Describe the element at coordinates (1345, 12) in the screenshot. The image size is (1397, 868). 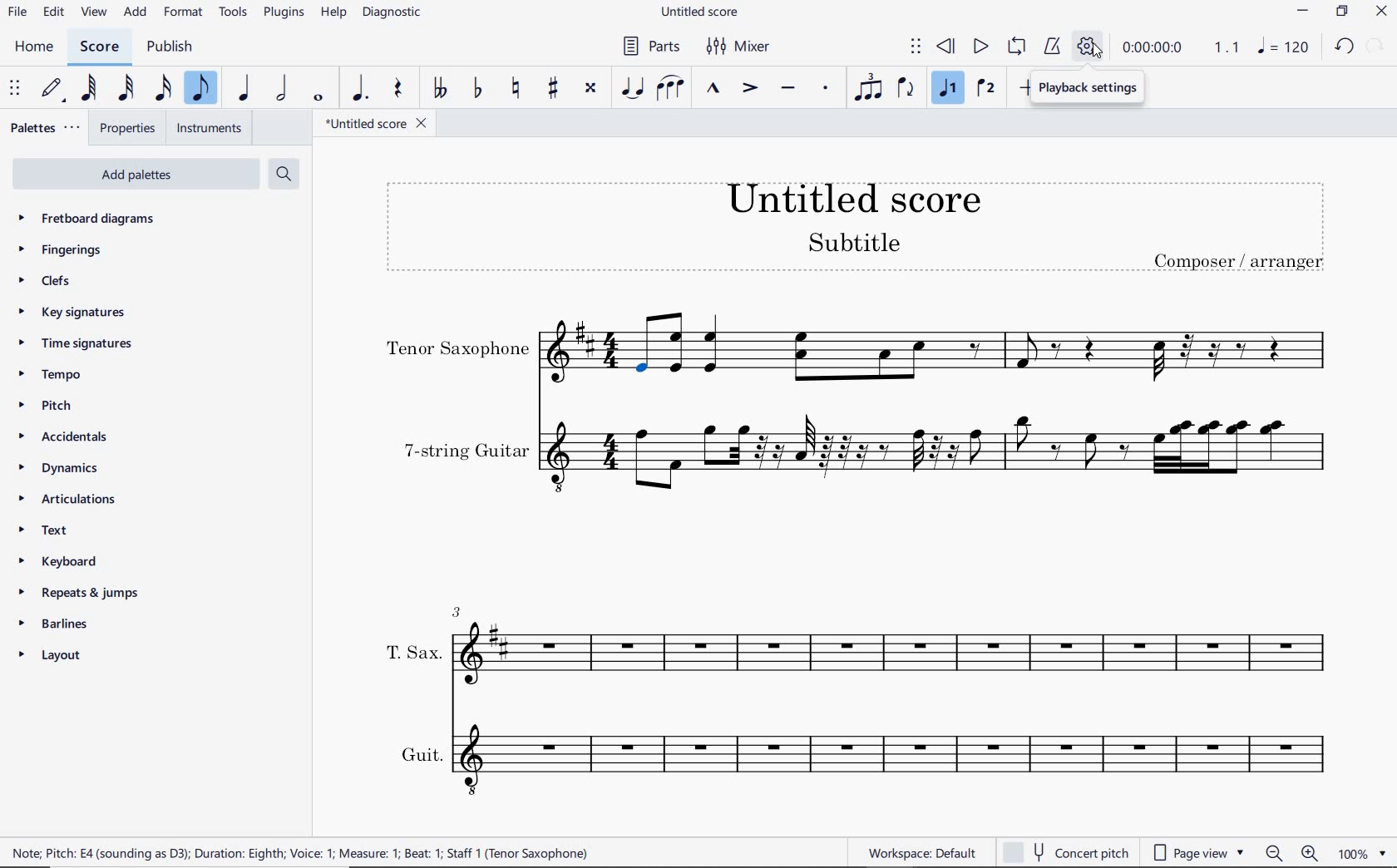
I see `RESTORE DOWN` at that location.